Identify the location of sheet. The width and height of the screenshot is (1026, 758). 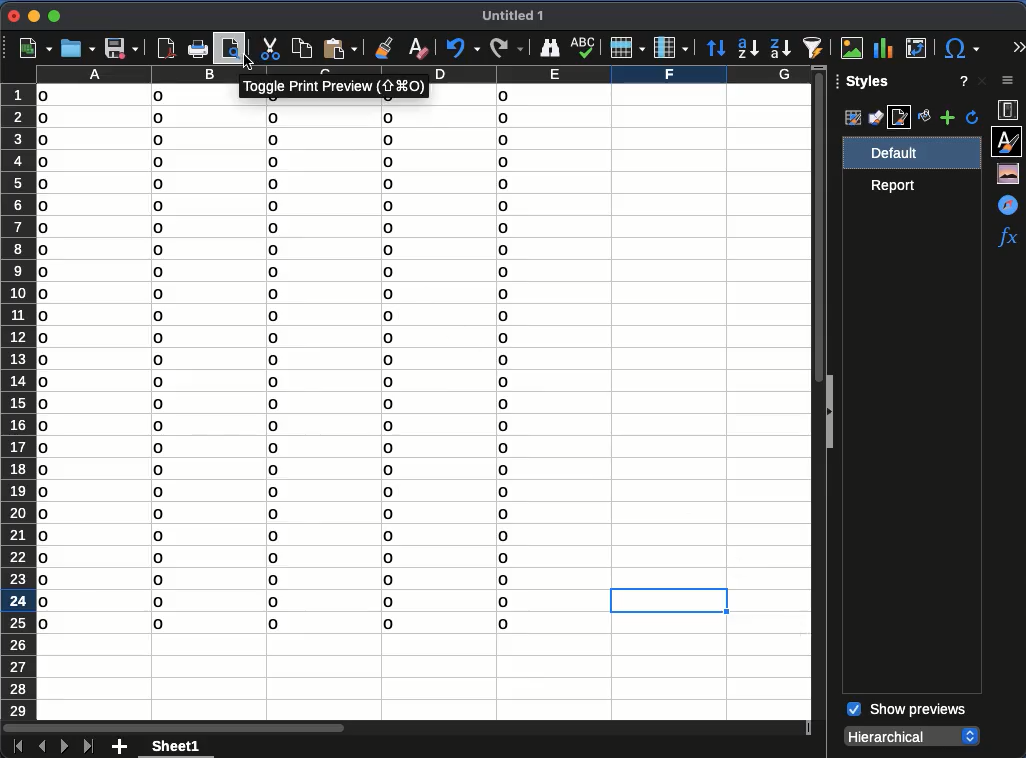
(178, 745).